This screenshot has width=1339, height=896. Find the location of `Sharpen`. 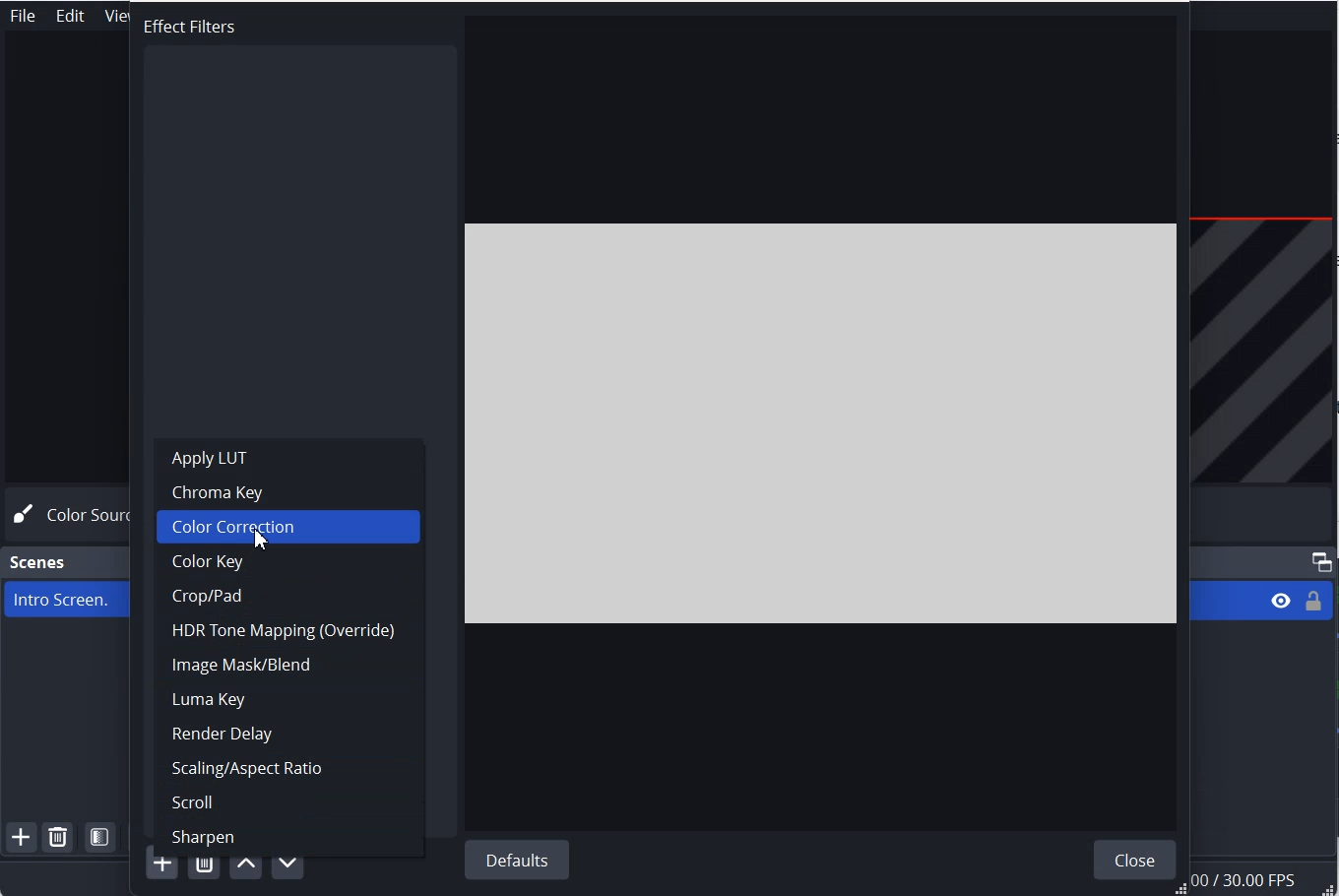

Sharpen is located at coordinates (287, 834).